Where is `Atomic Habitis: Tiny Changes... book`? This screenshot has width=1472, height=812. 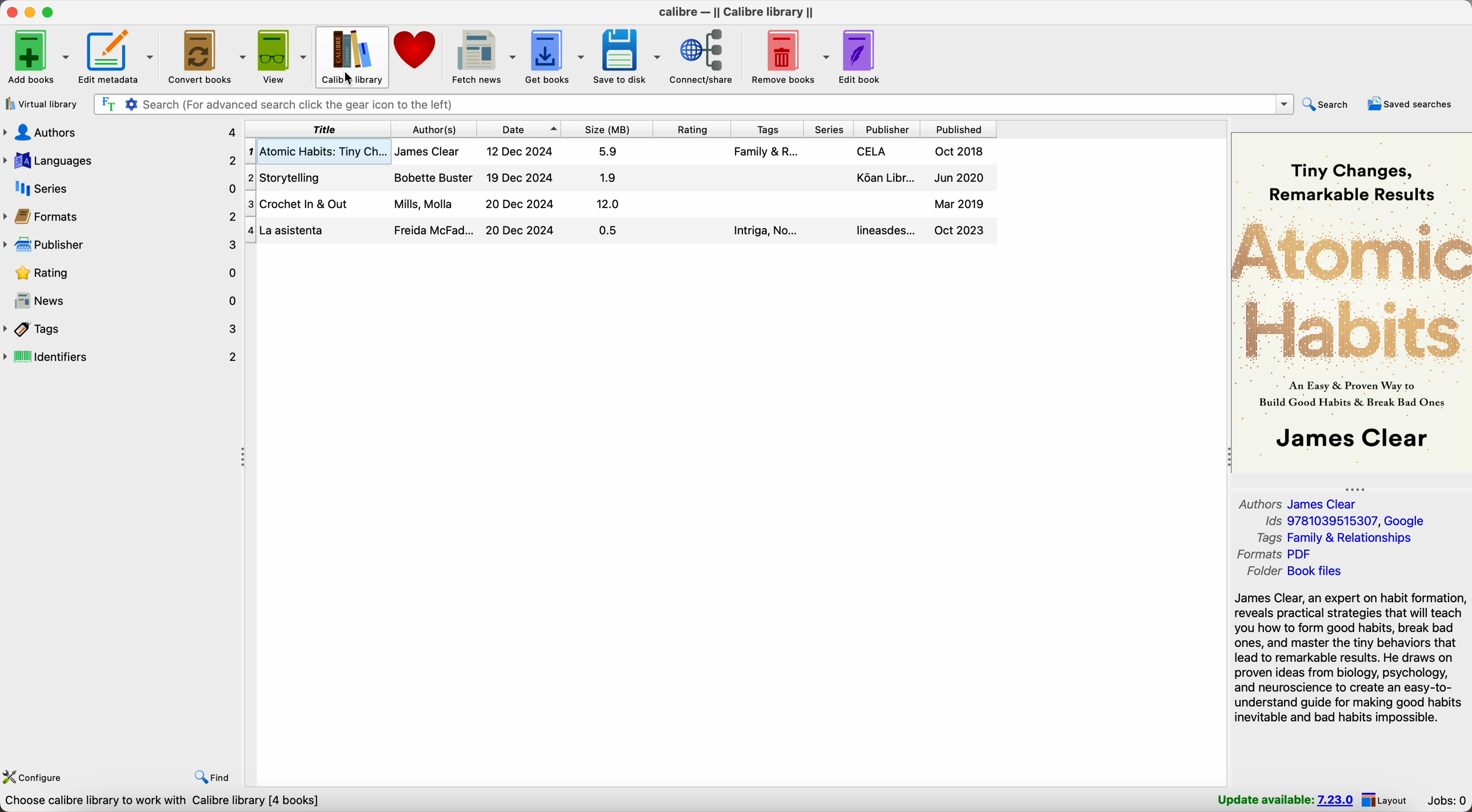
Atomic Habitis: Tiny Changes... book is located at coordinates (622, 152).